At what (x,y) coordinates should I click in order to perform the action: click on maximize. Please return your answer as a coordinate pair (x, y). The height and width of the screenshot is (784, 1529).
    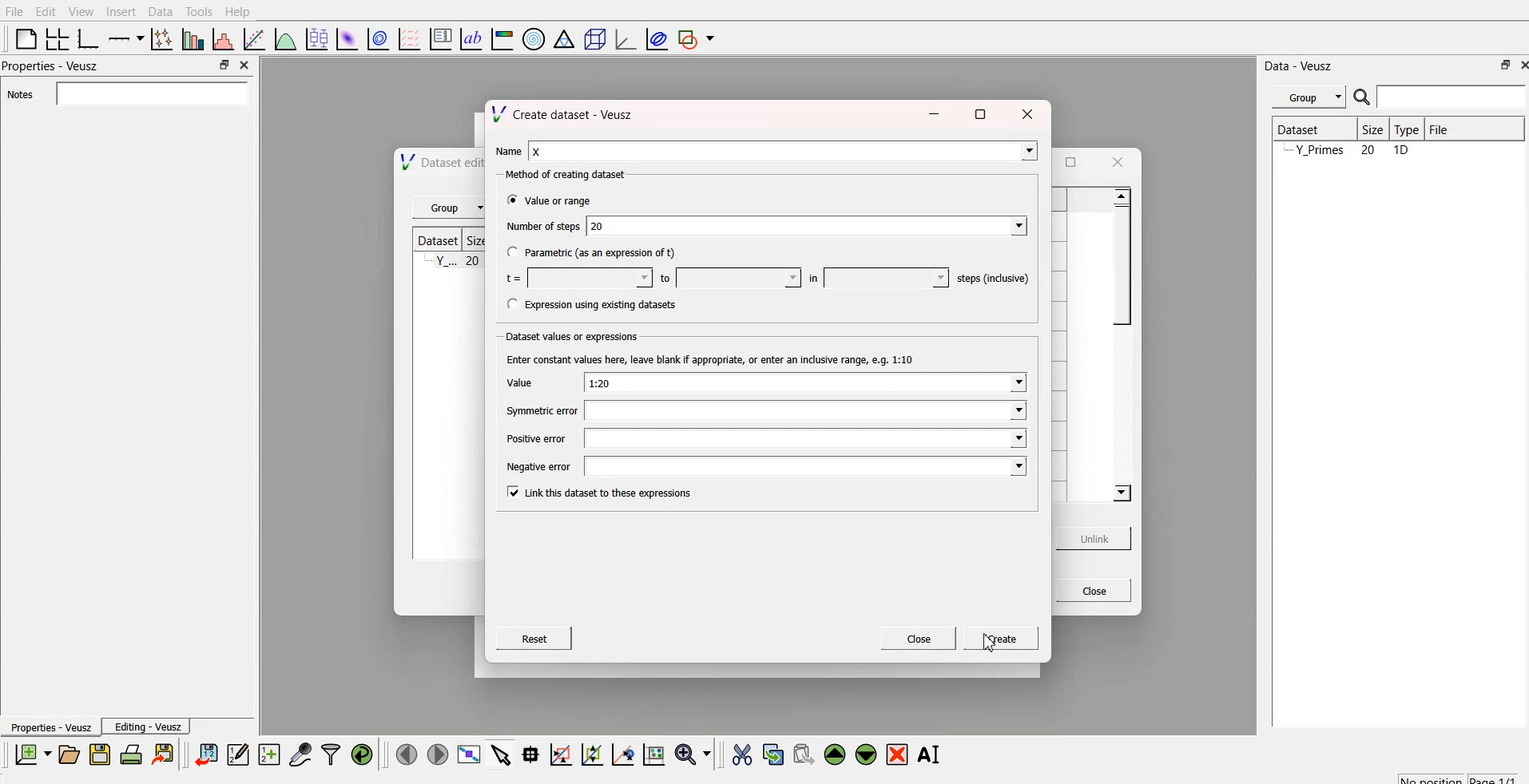
    Looking at the image, I should click on (978, 114).